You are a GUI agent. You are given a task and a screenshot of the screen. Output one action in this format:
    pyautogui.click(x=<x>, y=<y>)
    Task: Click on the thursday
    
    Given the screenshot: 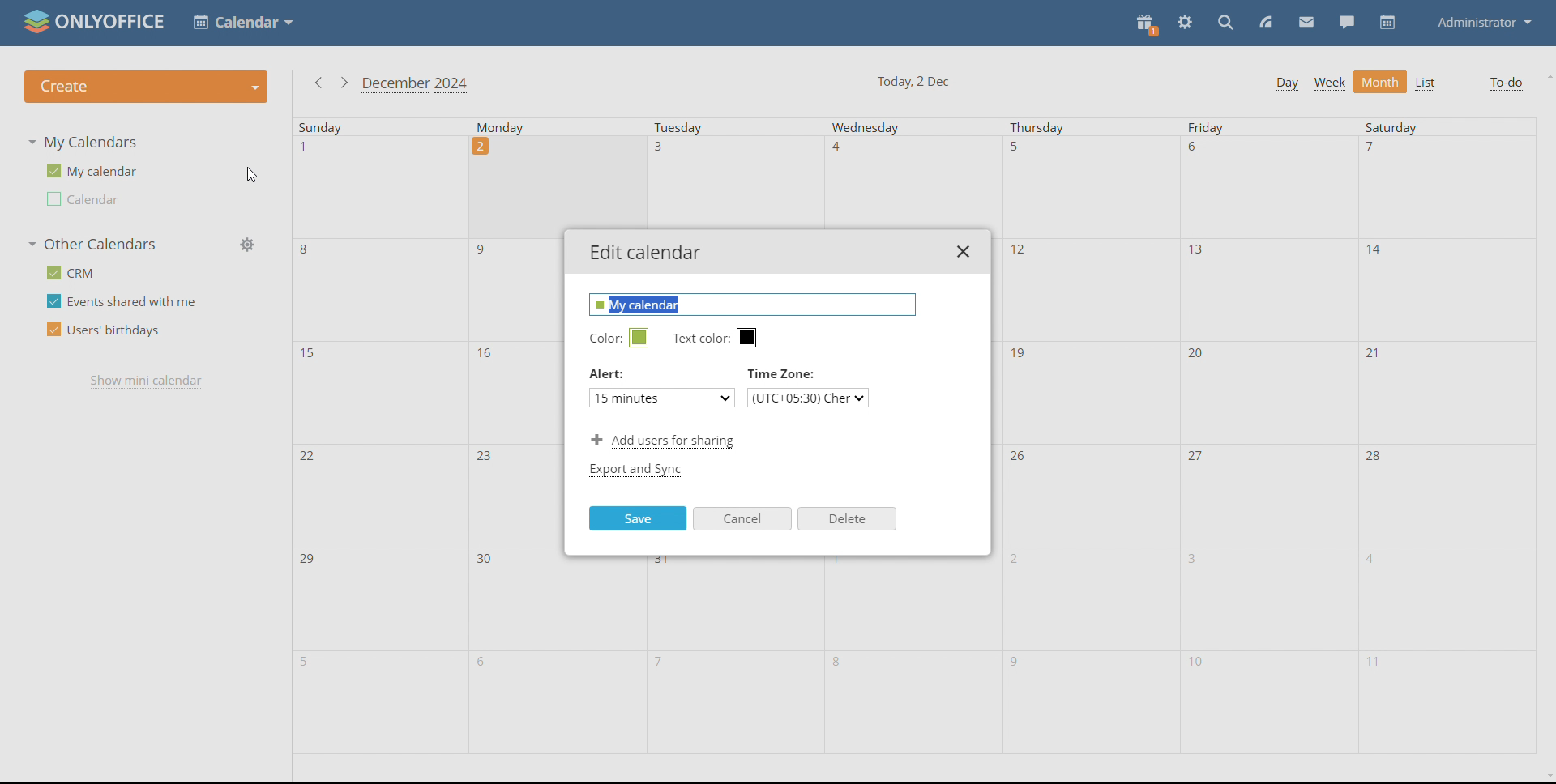 What is the action you would take?
    pyautogui.click(x=1083, y=126)
    